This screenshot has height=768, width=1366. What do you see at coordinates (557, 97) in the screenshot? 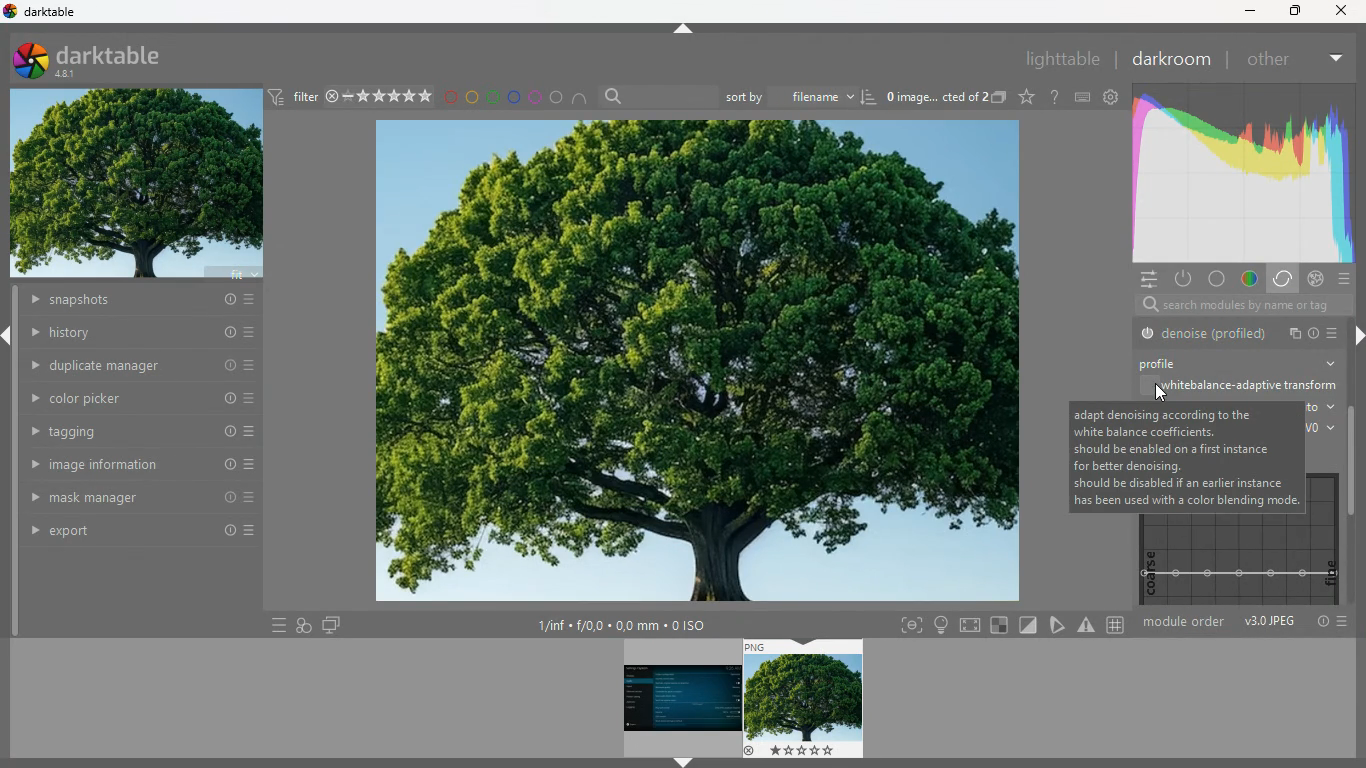
I see `circle` at bounding box center [557, 97].